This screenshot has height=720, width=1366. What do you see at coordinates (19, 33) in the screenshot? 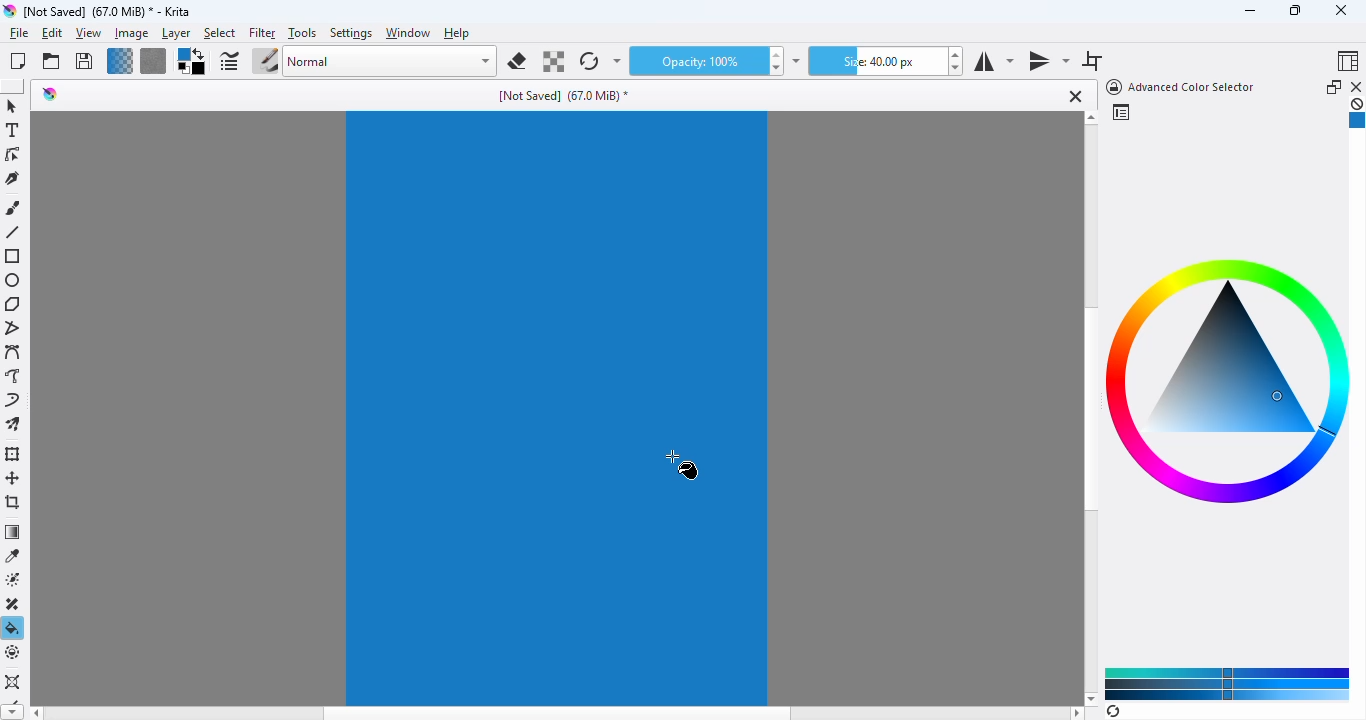
I see `file` at bounding box center [19, 33].